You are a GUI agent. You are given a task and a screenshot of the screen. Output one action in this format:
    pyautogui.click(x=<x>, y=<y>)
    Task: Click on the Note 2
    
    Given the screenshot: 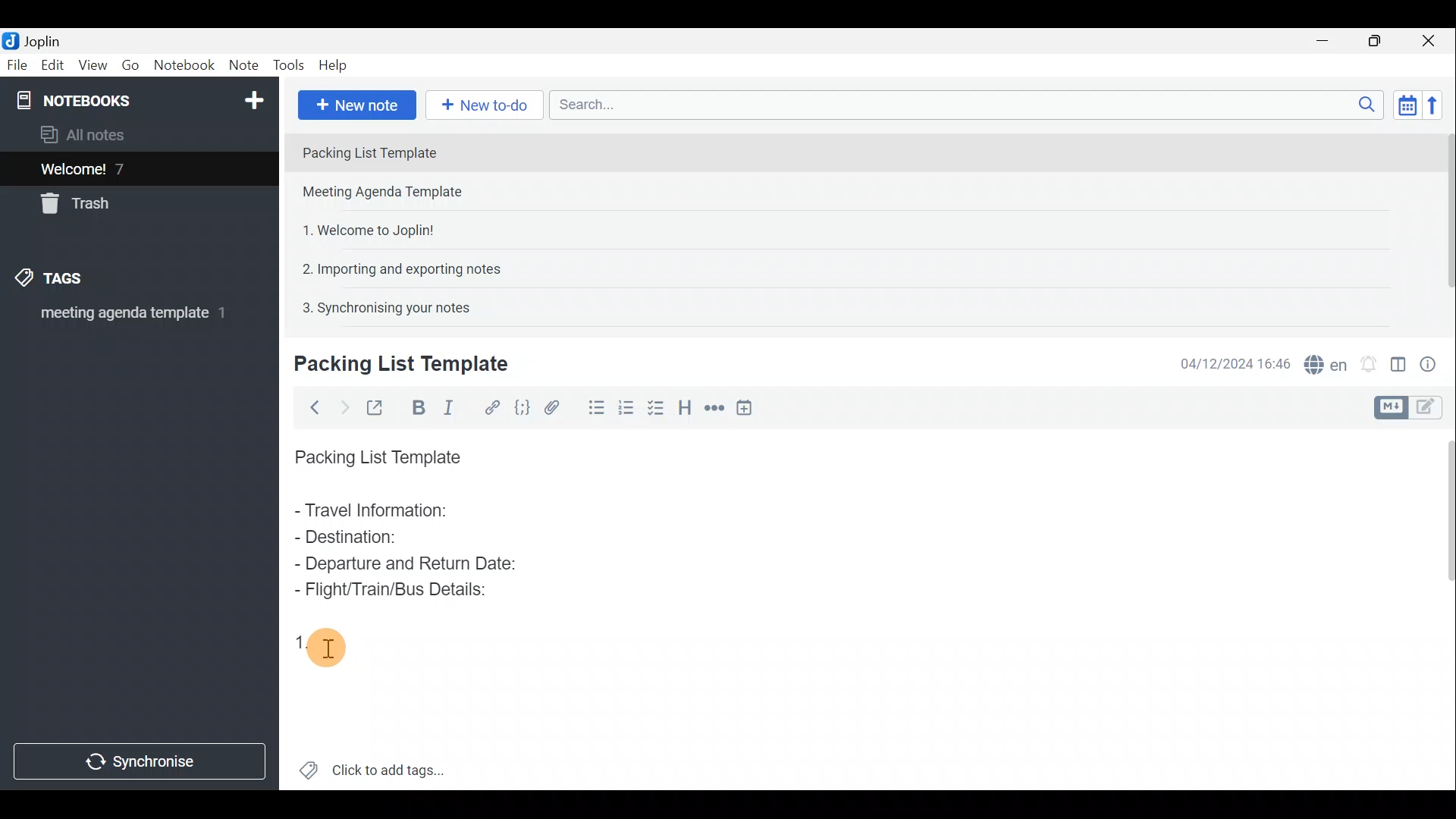 What is the action you would take?
    pyautogui.click(x=397, y=193)
    